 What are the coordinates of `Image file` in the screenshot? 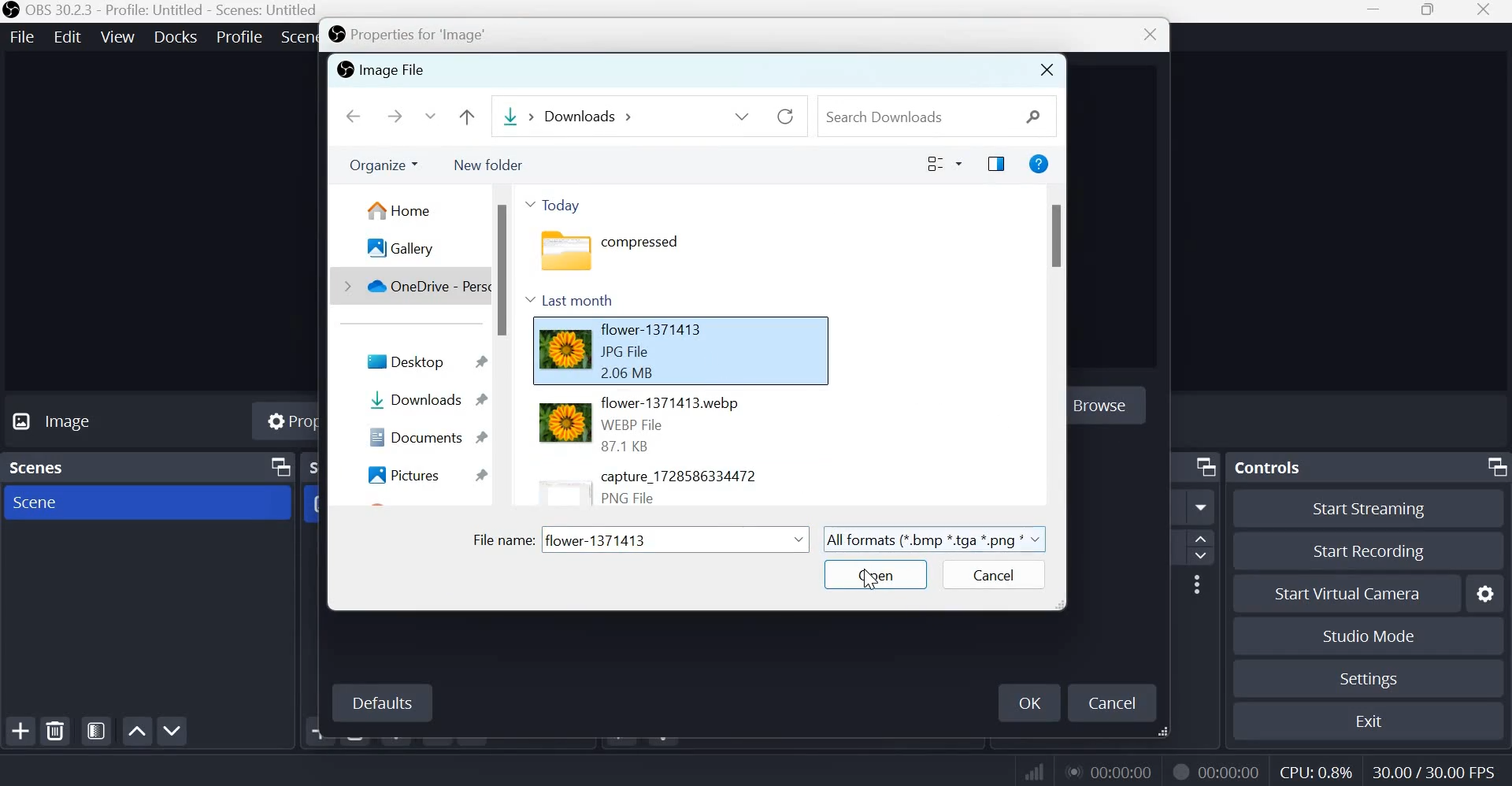 It's located at (380, 69).